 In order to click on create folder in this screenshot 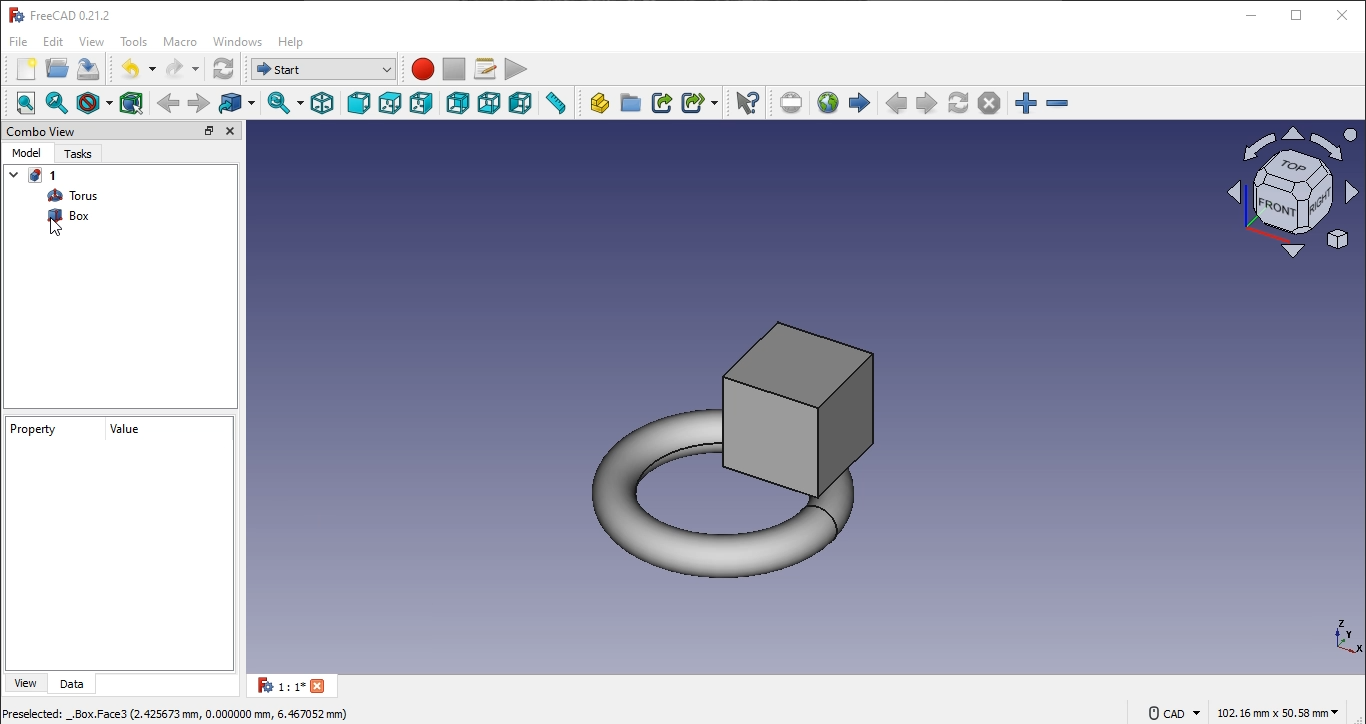, I will do `click(631, 104)`.